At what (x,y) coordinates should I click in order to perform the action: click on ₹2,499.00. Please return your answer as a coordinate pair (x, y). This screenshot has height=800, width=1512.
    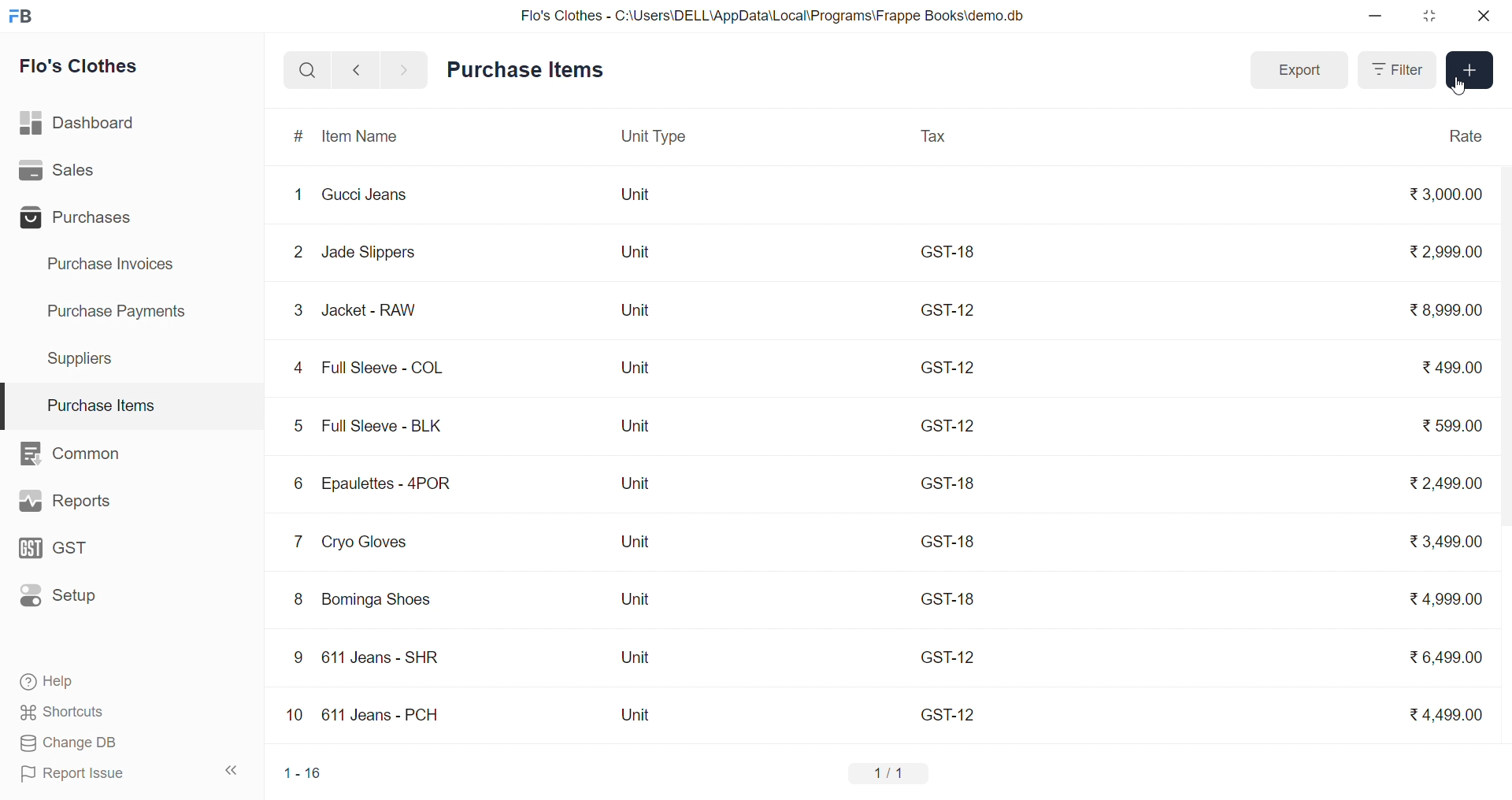
    Looking at the image, I should click on (1447, 481).